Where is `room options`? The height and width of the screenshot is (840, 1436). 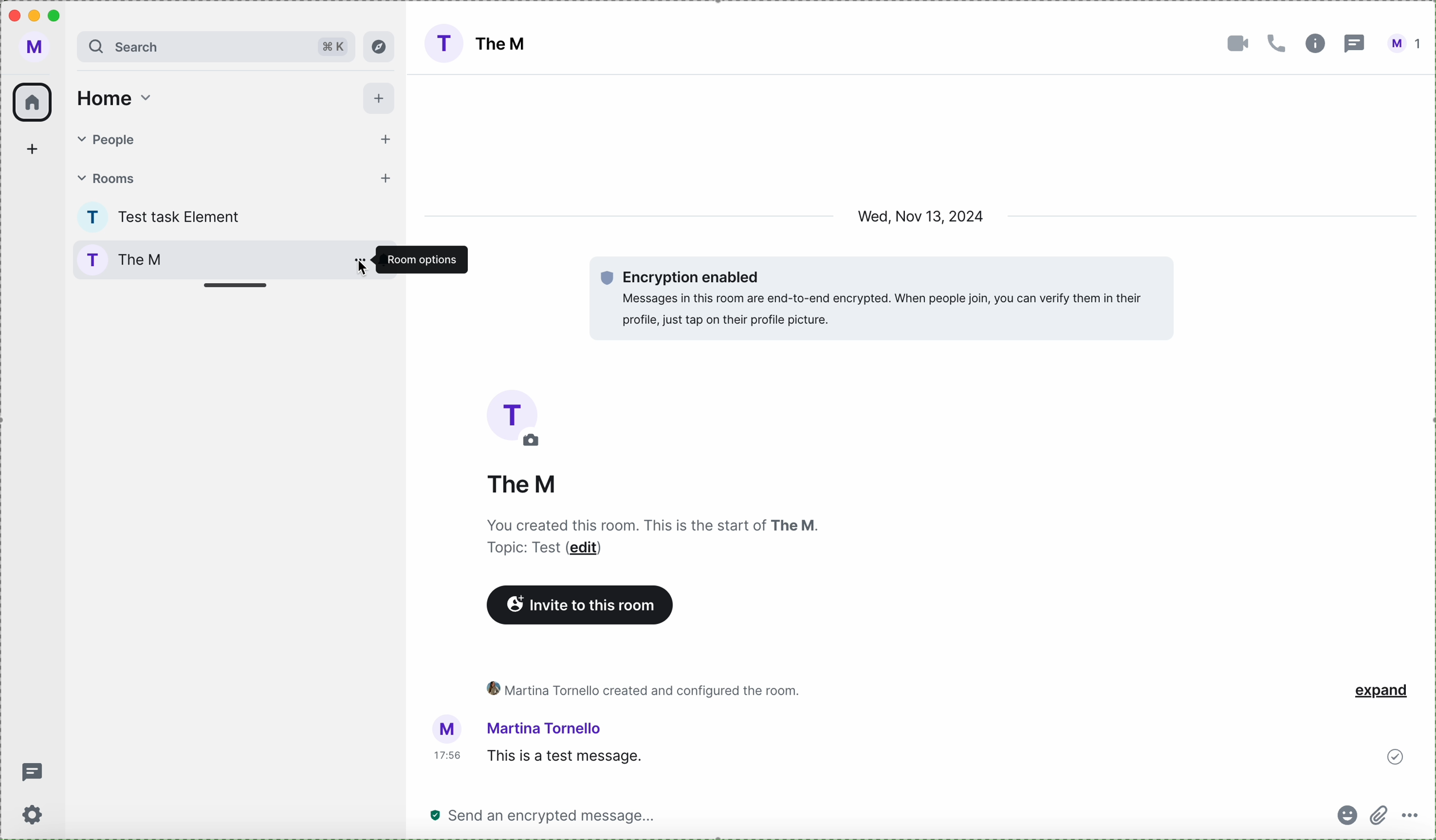 room options is located at coordinates (425, 260).